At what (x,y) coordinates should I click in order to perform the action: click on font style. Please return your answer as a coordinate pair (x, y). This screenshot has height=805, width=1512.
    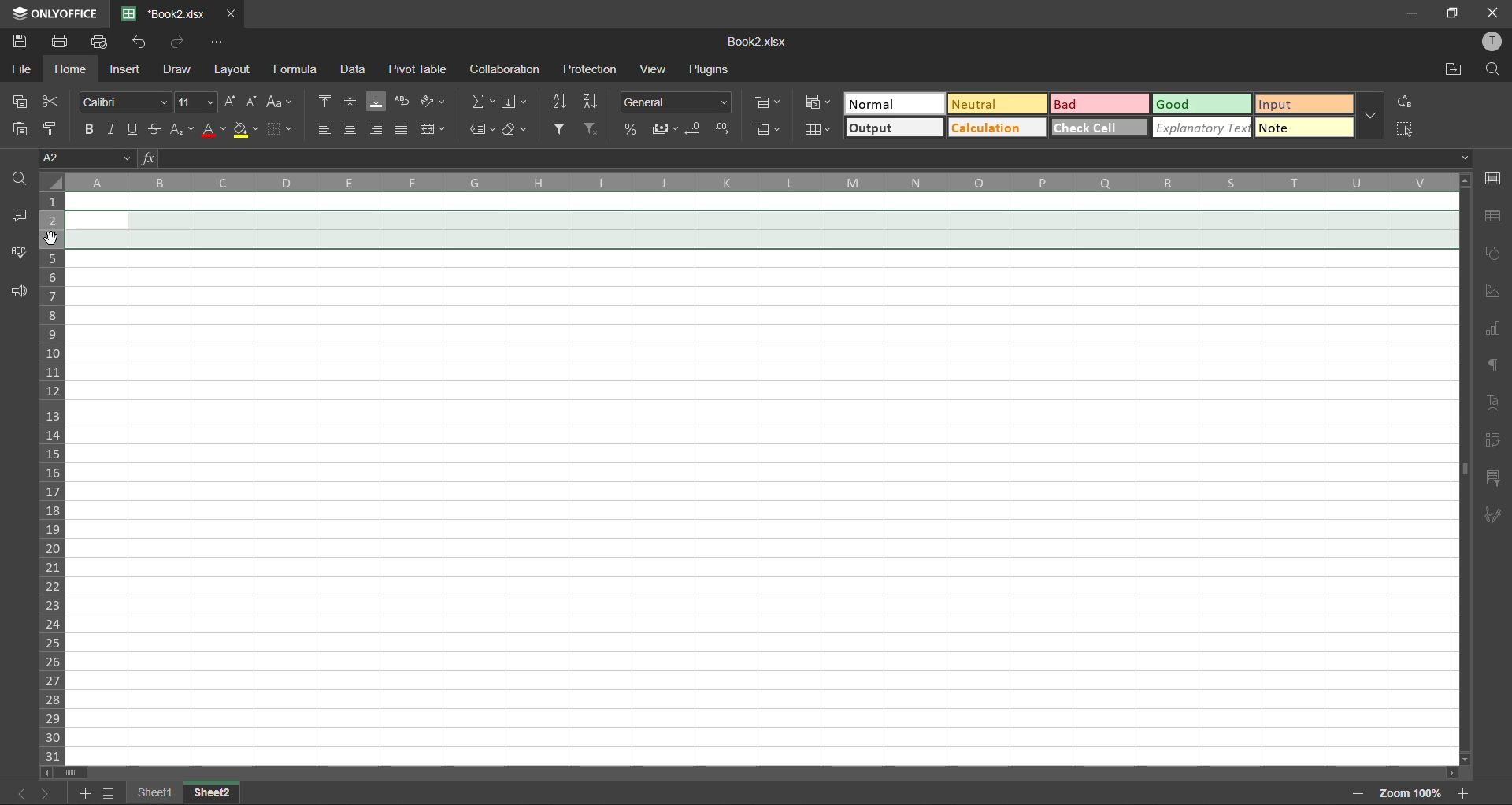
    Looking at the image, I should click on (126, 99).